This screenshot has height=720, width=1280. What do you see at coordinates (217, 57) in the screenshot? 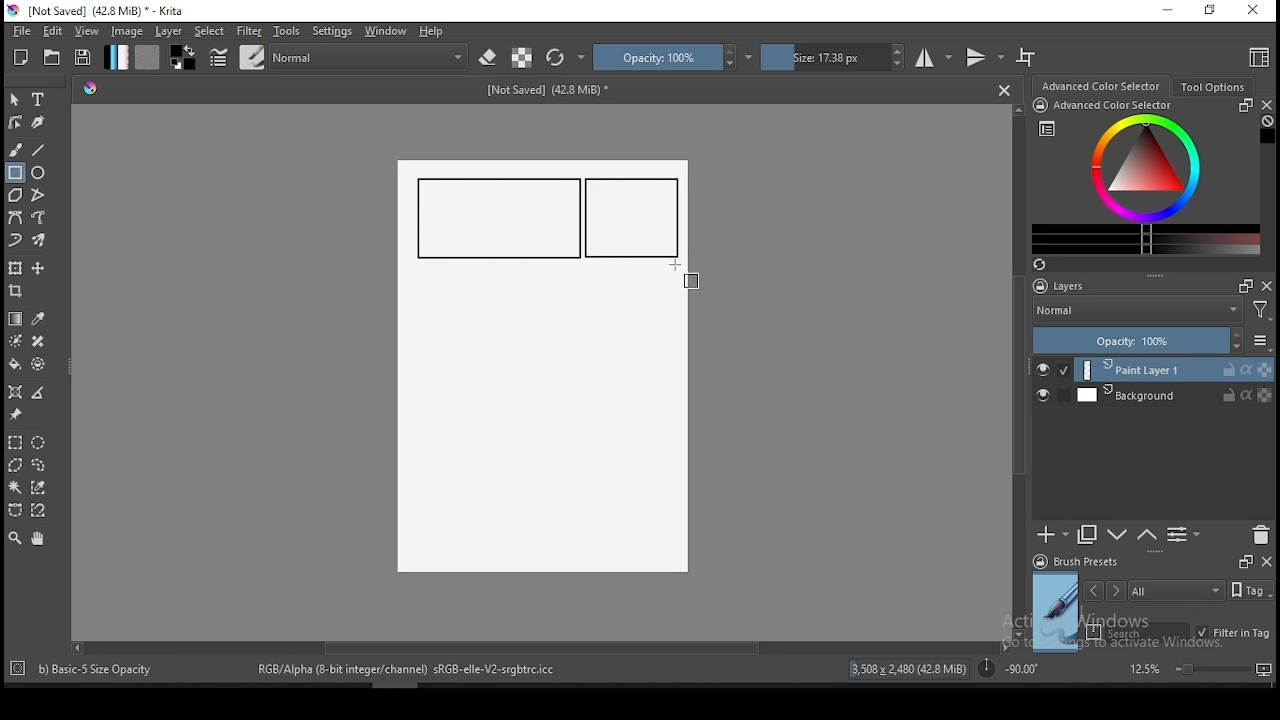
I see `brush settings` at bounding box center [217, 57].